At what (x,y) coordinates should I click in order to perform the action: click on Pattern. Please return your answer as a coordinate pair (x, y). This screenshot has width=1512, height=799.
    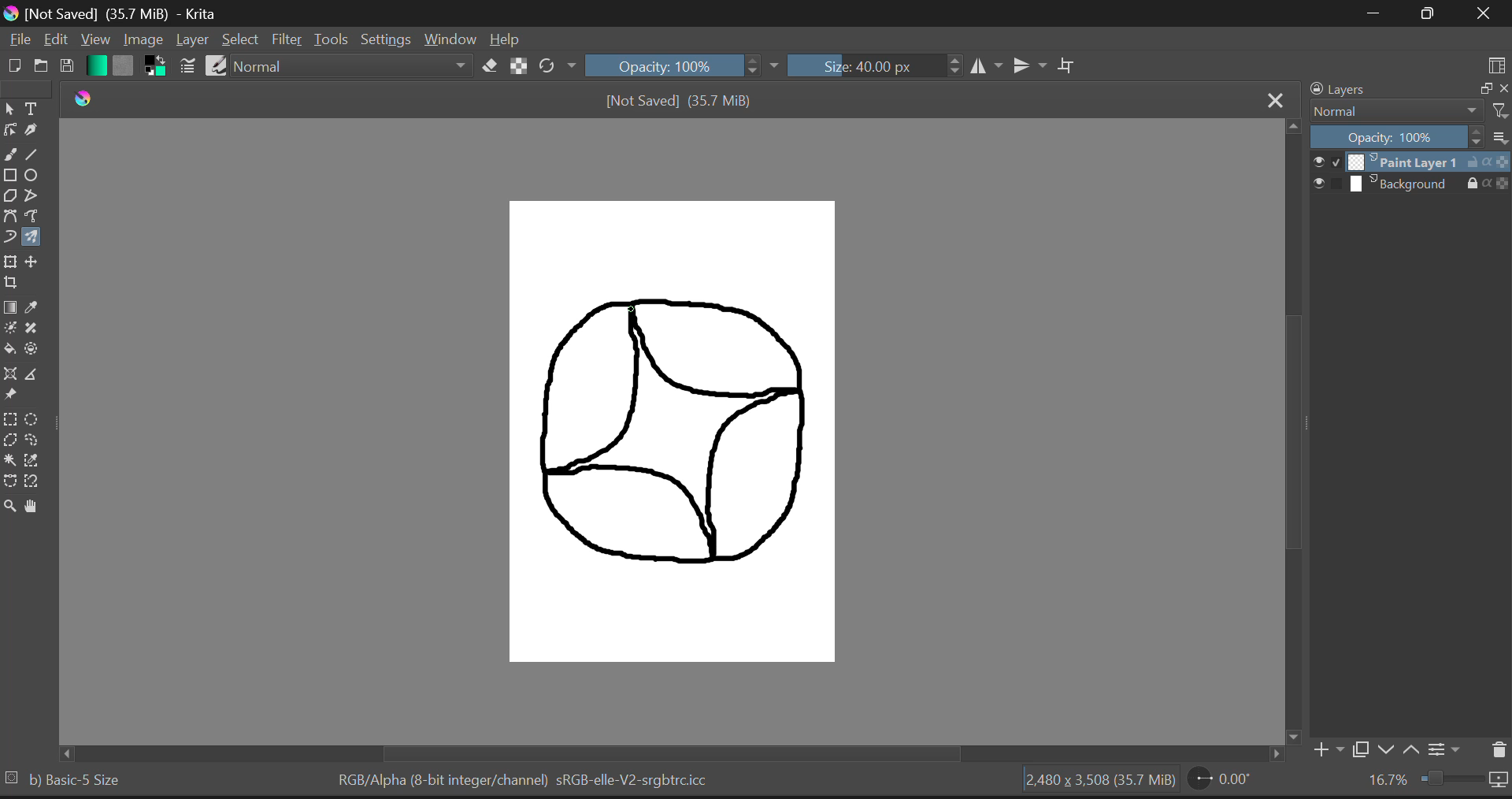
    Looking at the image, I should click on (126, 66).